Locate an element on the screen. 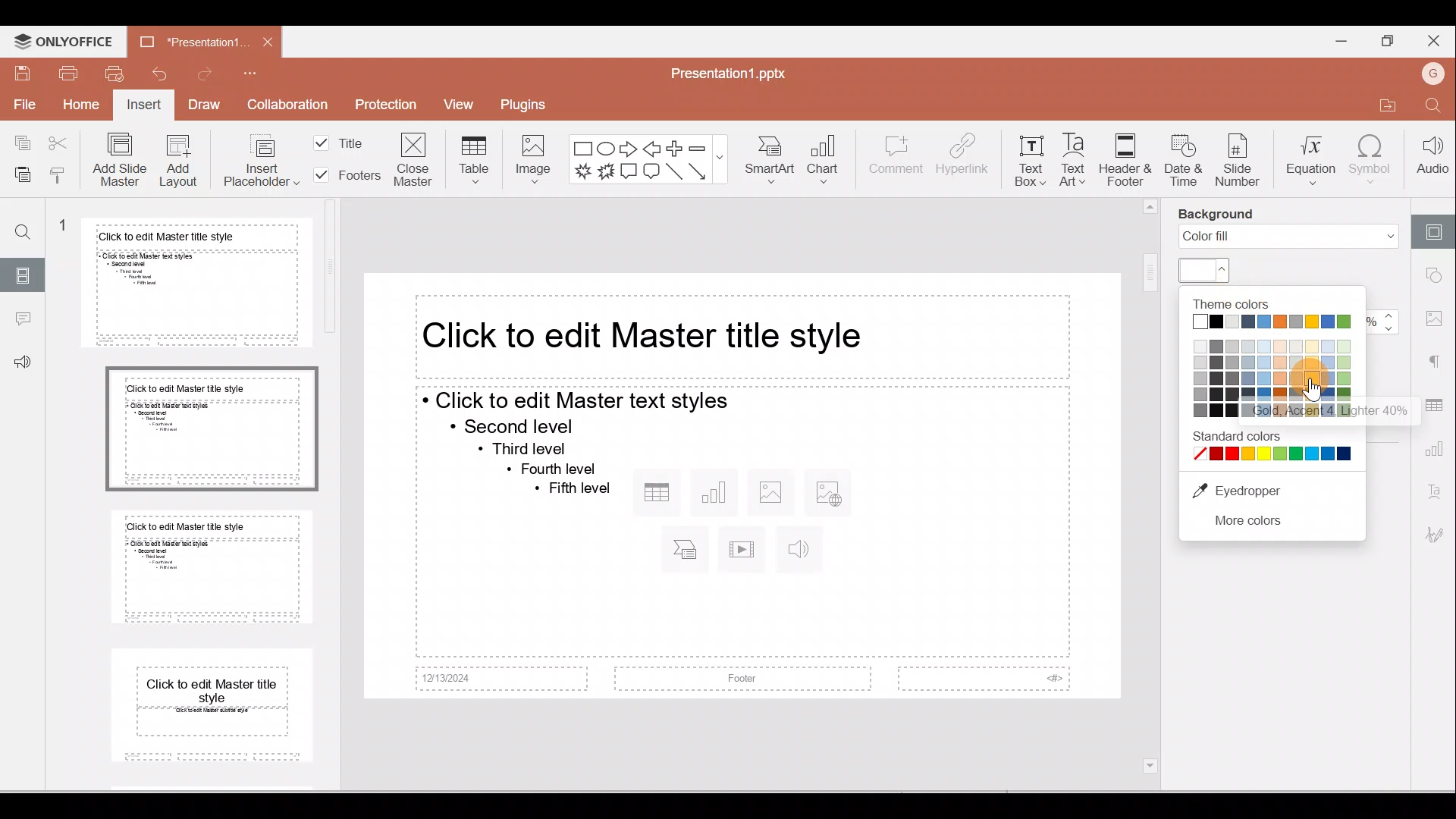 The image size is (1456, 819). Add Layout is located at coordinates (179, 160).